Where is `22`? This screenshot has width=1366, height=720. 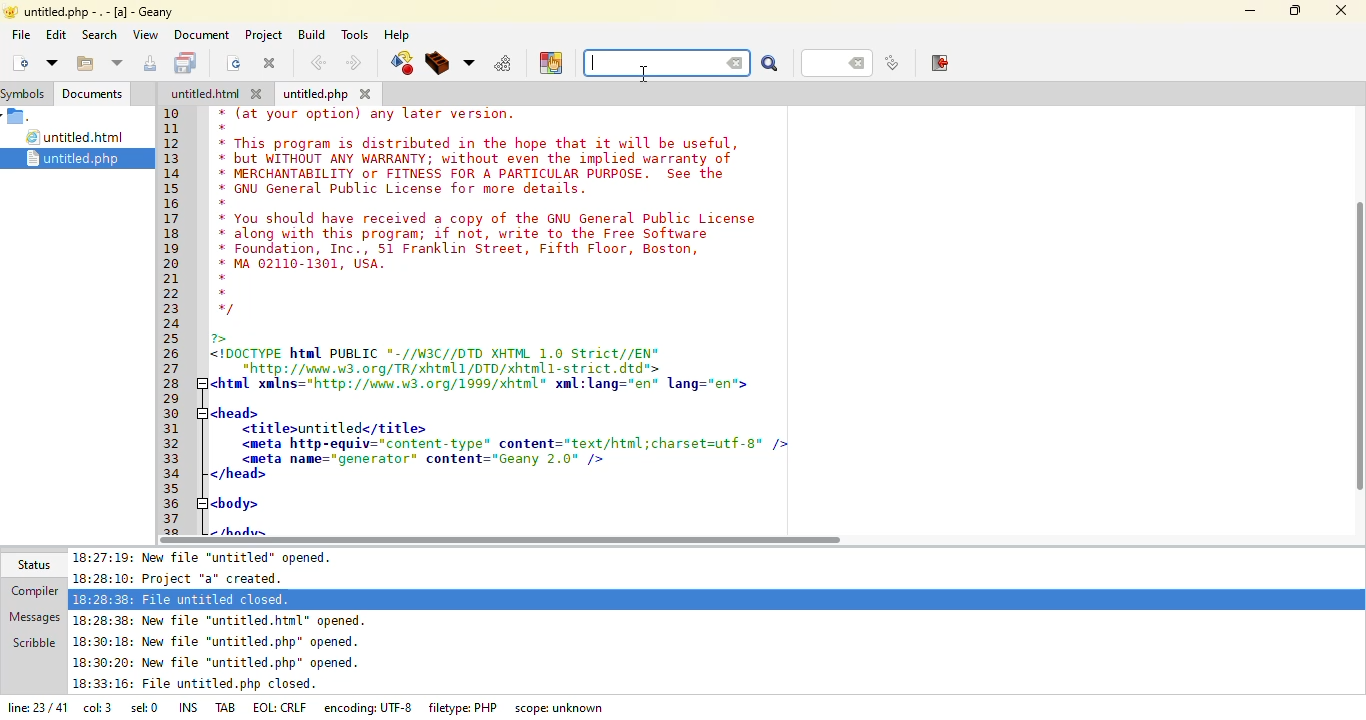 22 is located at coordinates (172, 295).